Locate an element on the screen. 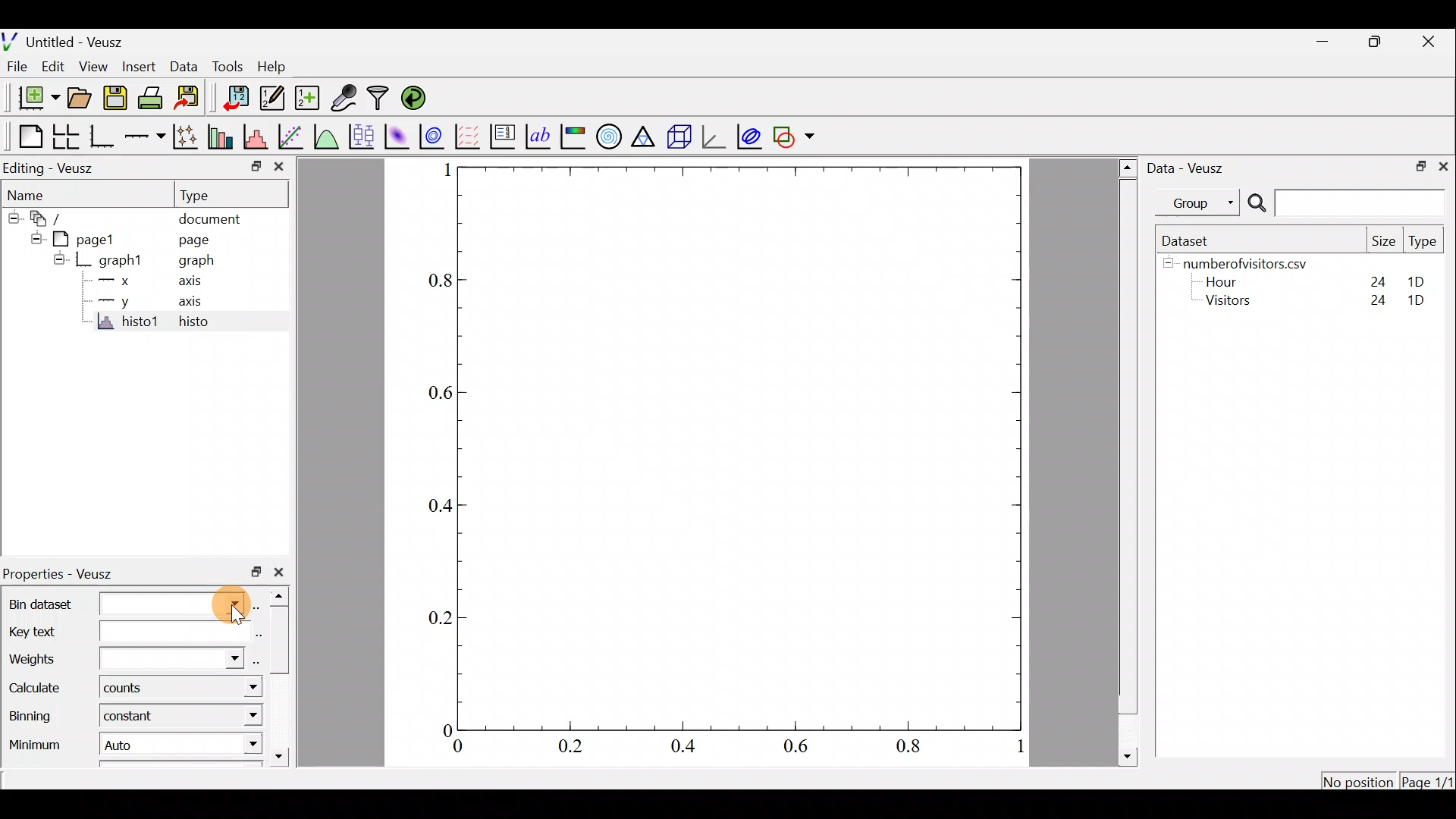 This screenshot has width=1456, height=819. restore down is located at coordinates (253, 572).